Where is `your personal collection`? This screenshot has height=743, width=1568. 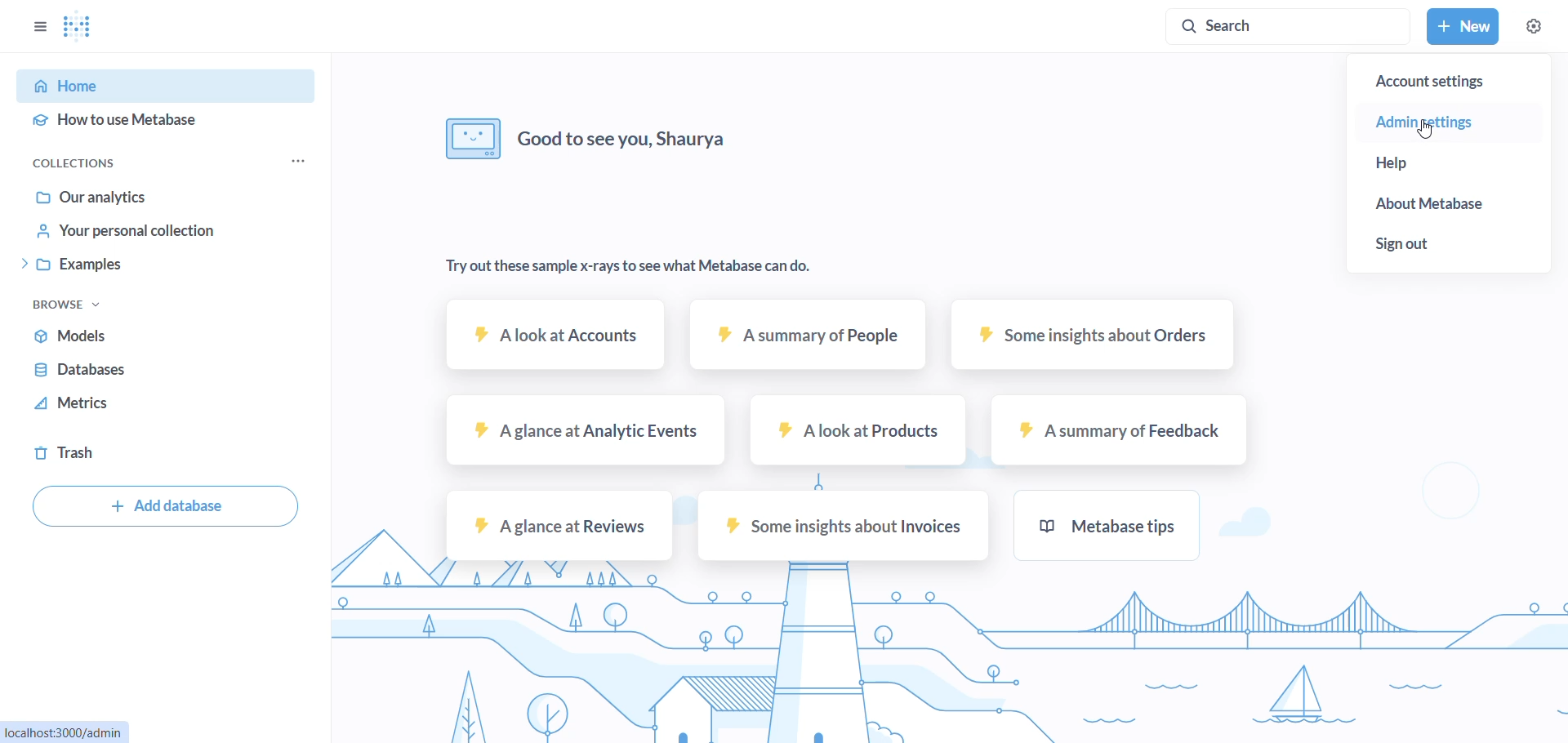 your personal collection is located at coordinates (135, 233).